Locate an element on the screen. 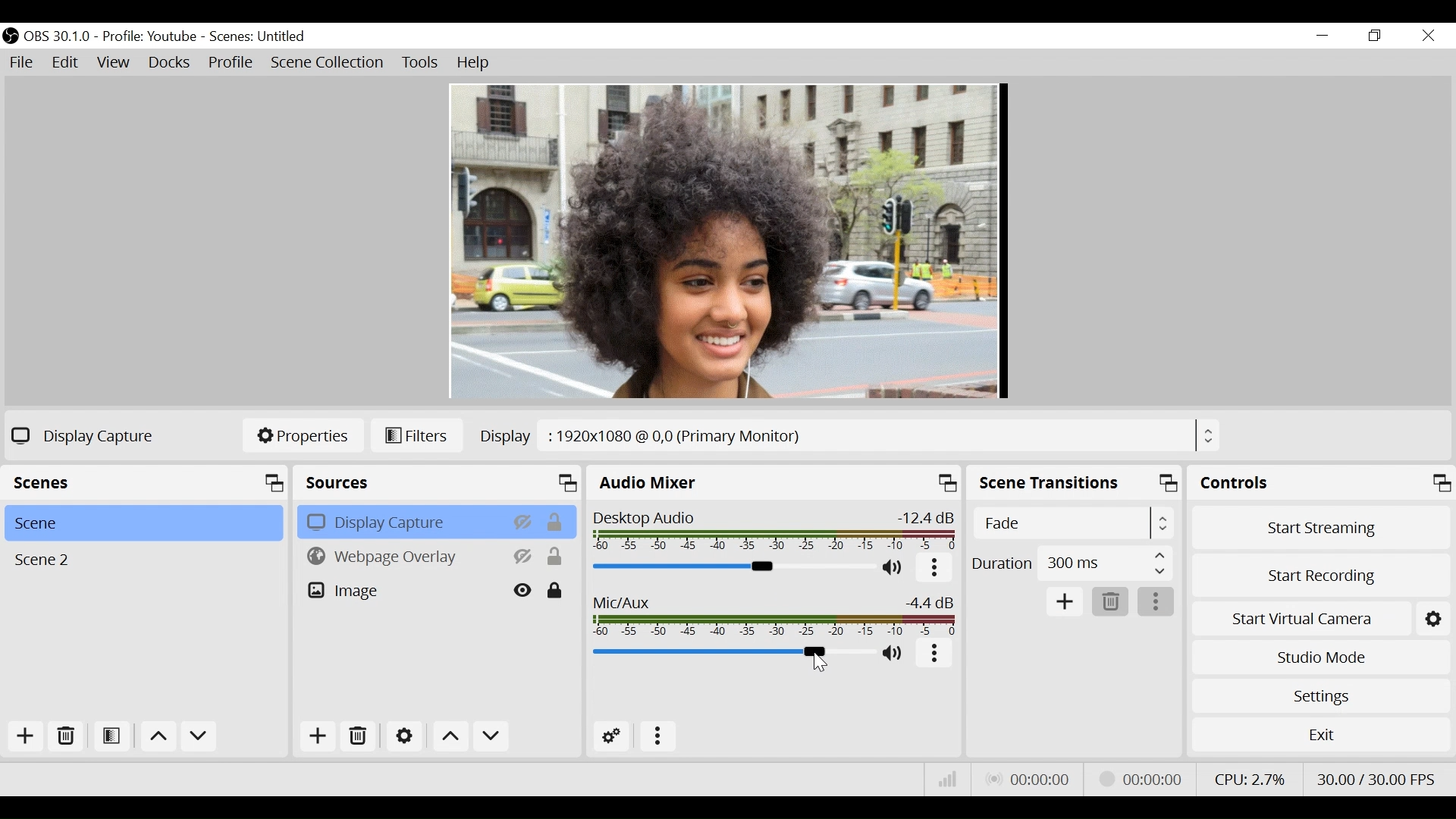  Desktop Audio Slider is located at coordinates (734, 567).